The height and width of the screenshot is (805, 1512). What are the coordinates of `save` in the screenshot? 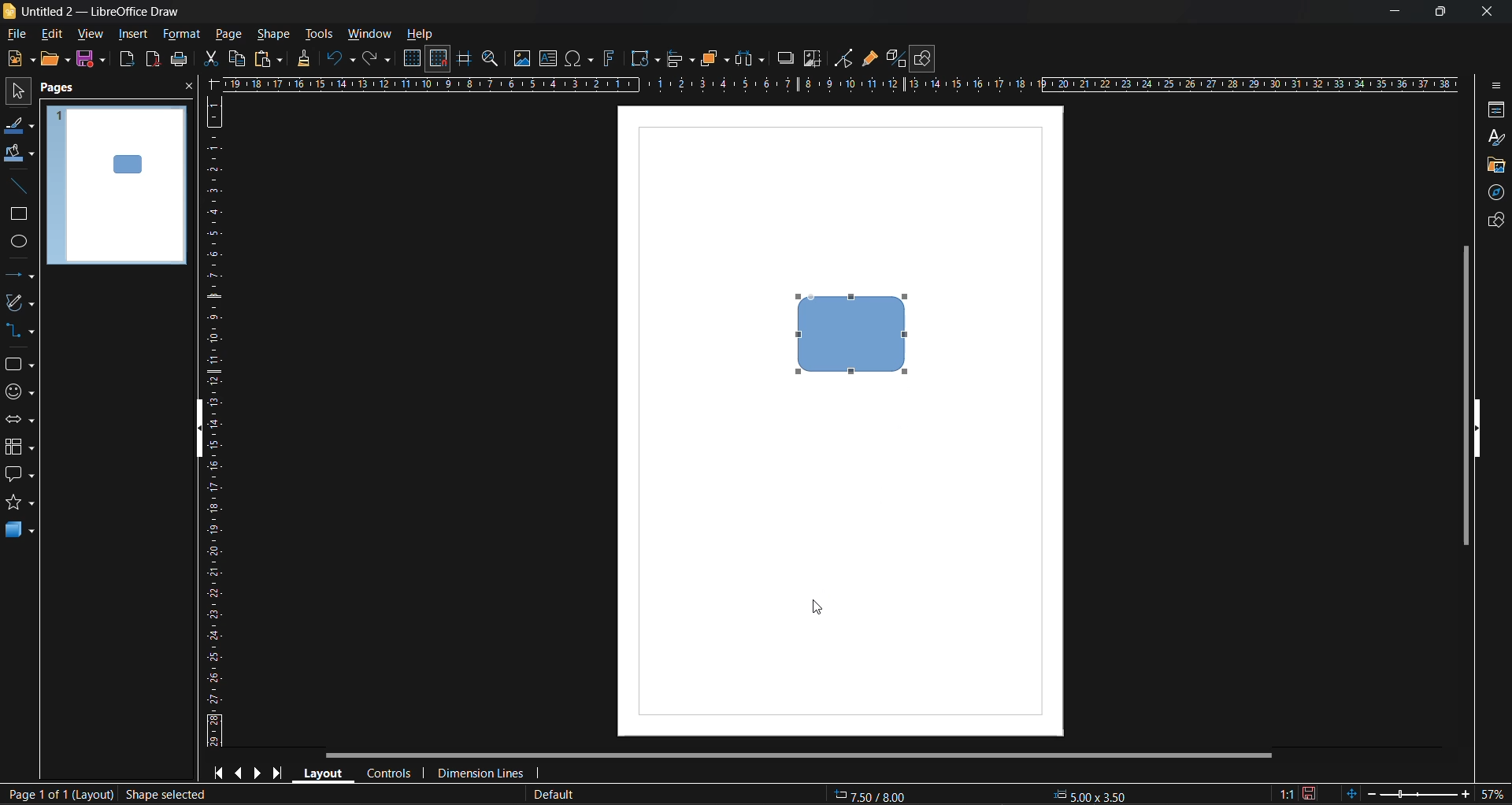 It's located at (89, 58).